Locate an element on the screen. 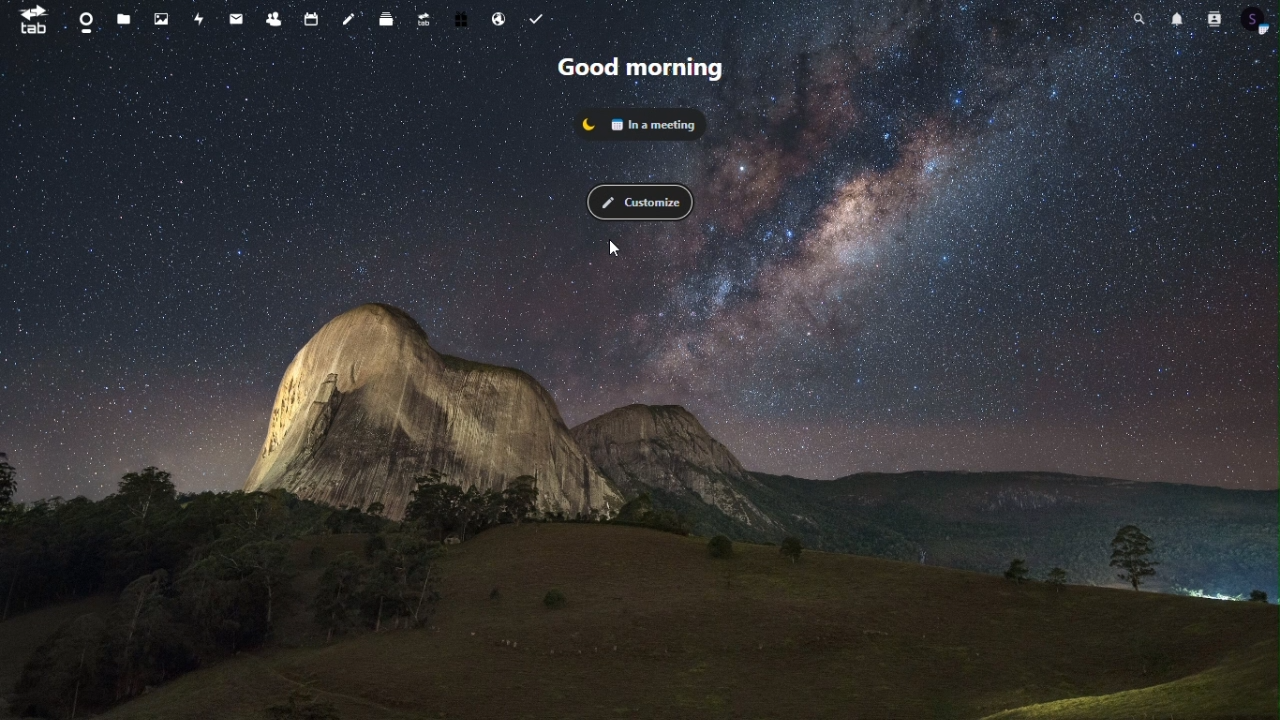 The image size is (1280, 720). upgrade is located at coordinates (424, 19).